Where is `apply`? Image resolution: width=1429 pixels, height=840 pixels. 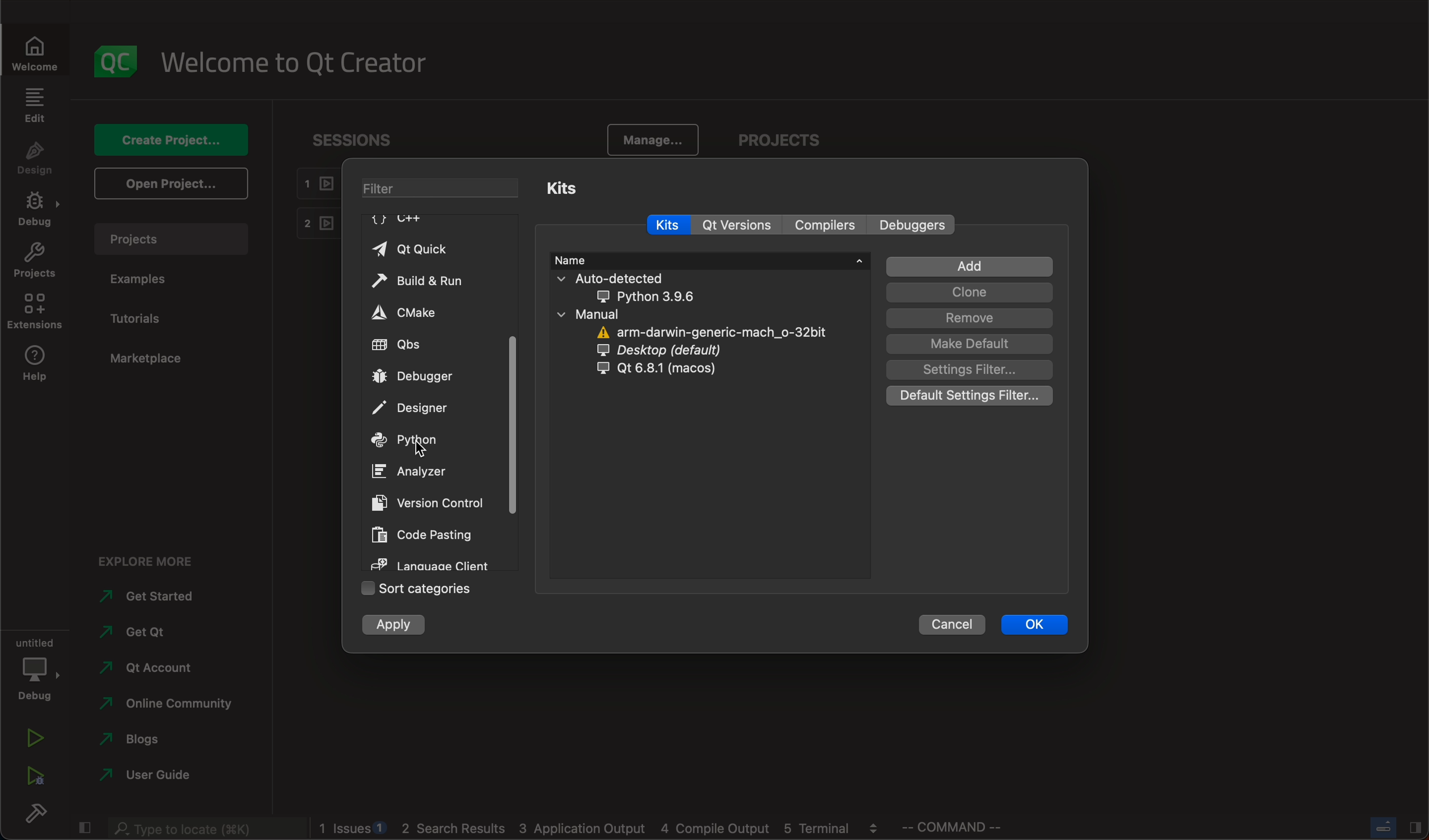 apply is located at coordinates (397, 627).